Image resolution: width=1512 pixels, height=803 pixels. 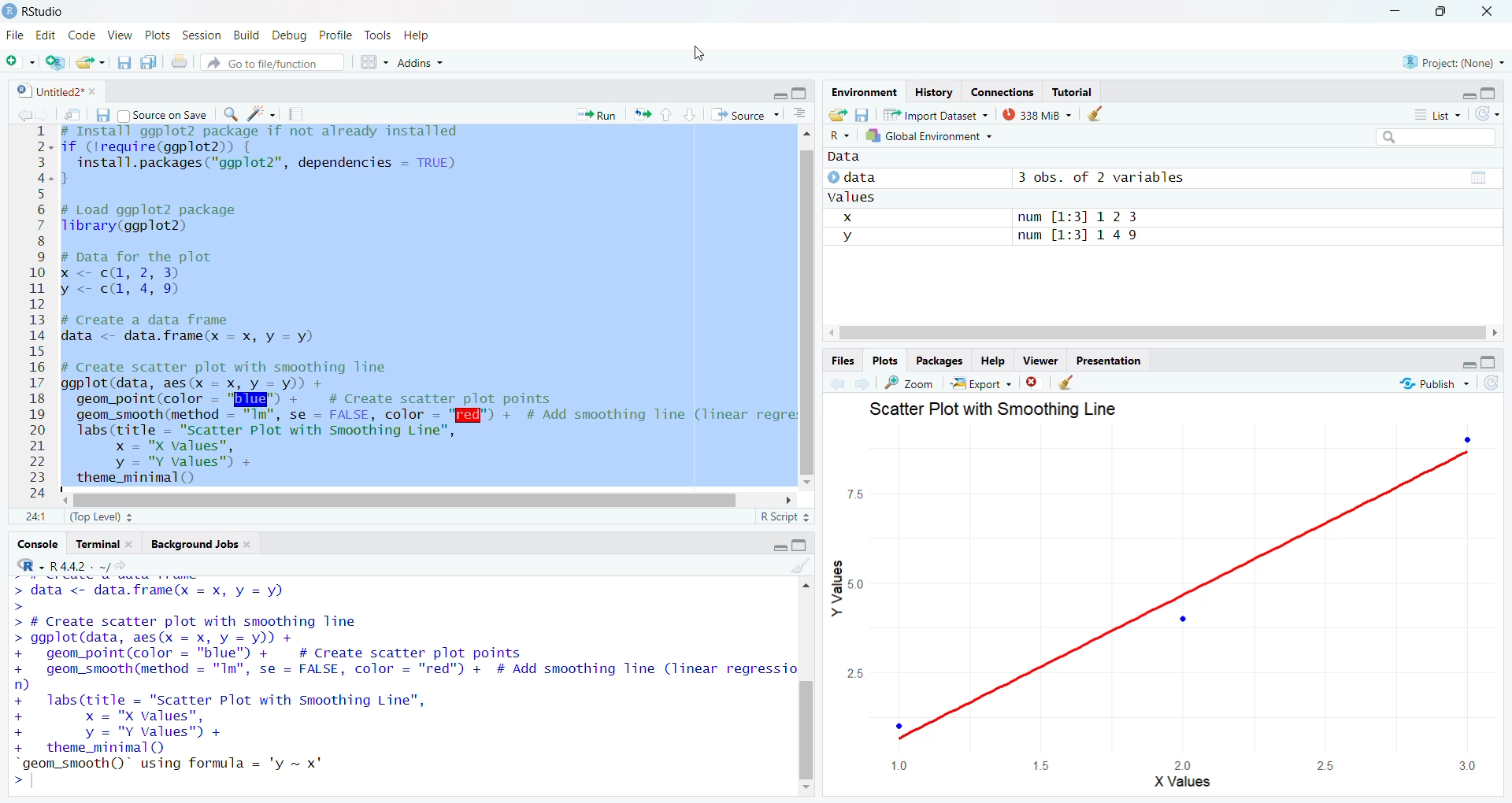 What do you see at coordinates (692, 115) in the screenshot?
I see `go to next section/chunk` at bounding box center [692, 115].